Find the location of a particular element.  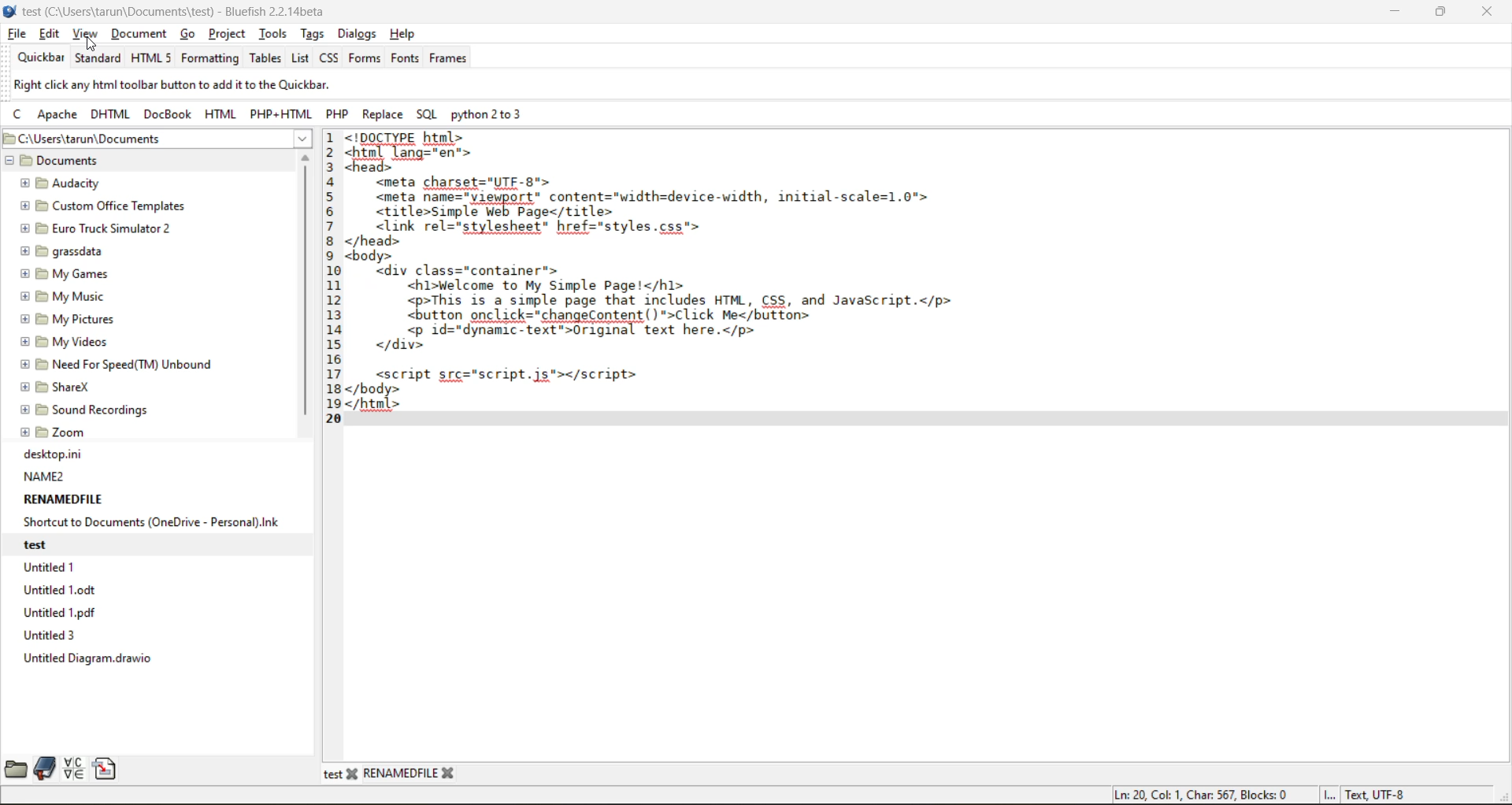

list is located at coordinates (302, 59).